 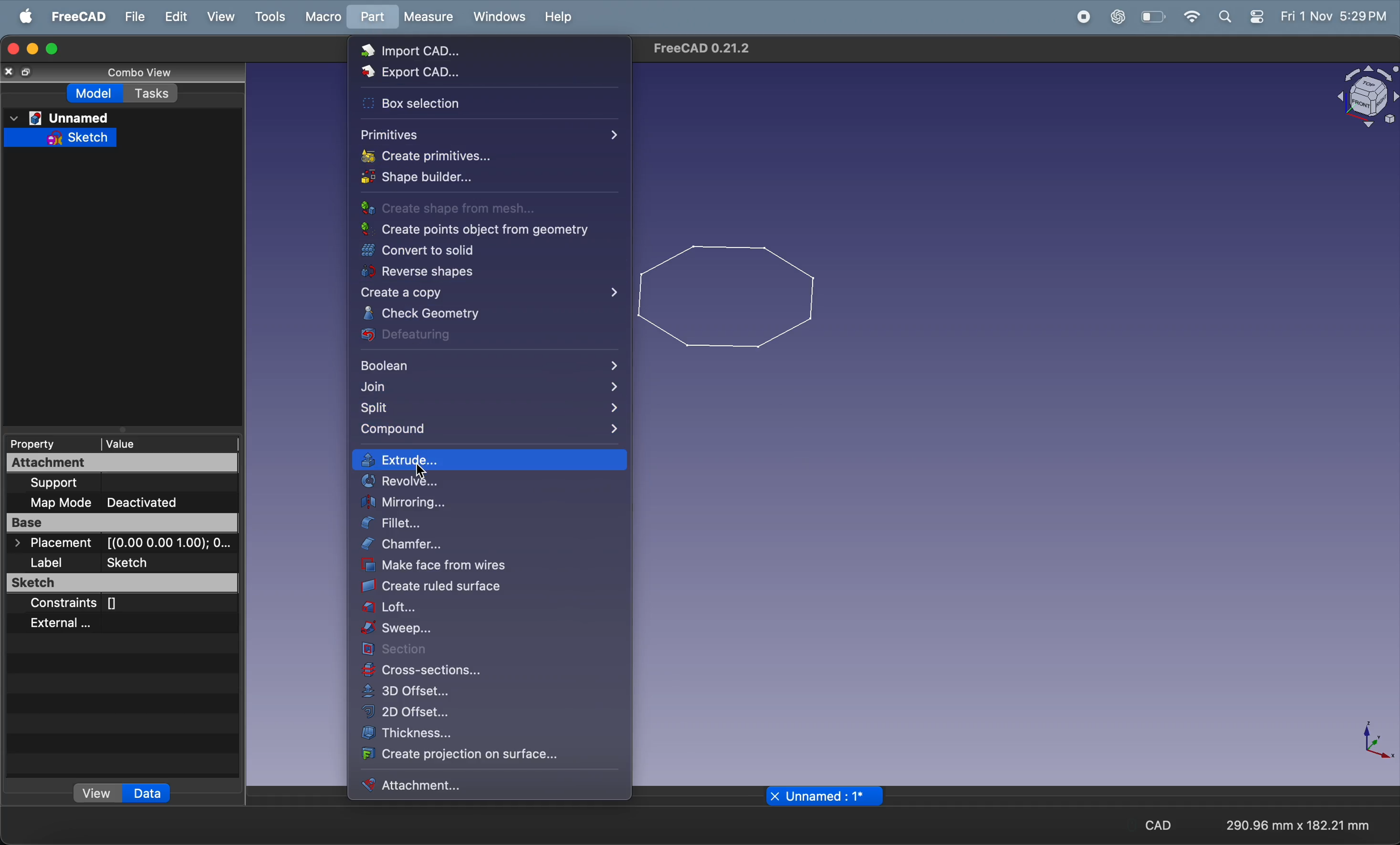 I want to click on attachment, so click(x=481, y=784).